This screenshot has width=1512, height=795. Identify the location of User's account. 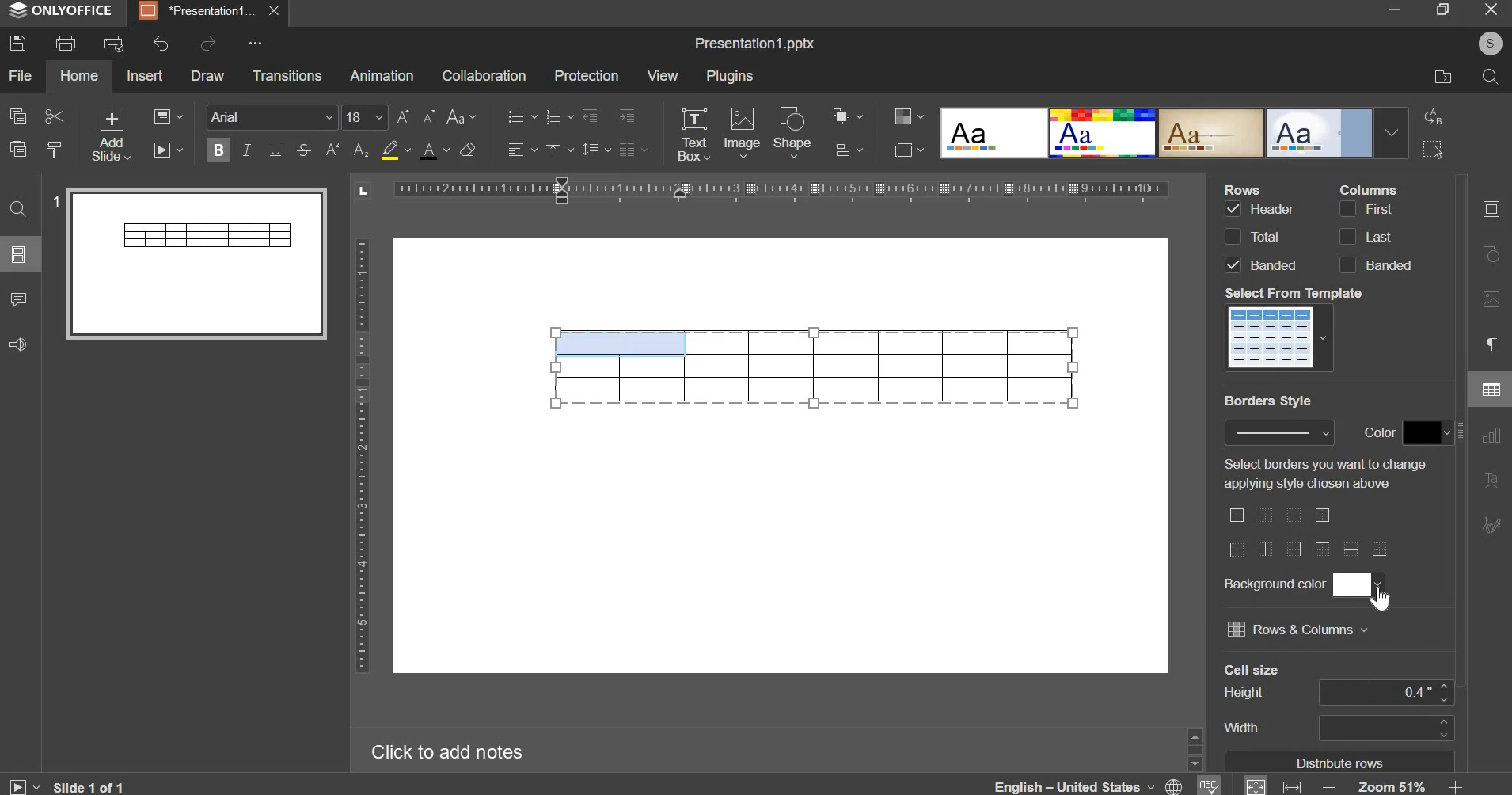
(1490, 42).